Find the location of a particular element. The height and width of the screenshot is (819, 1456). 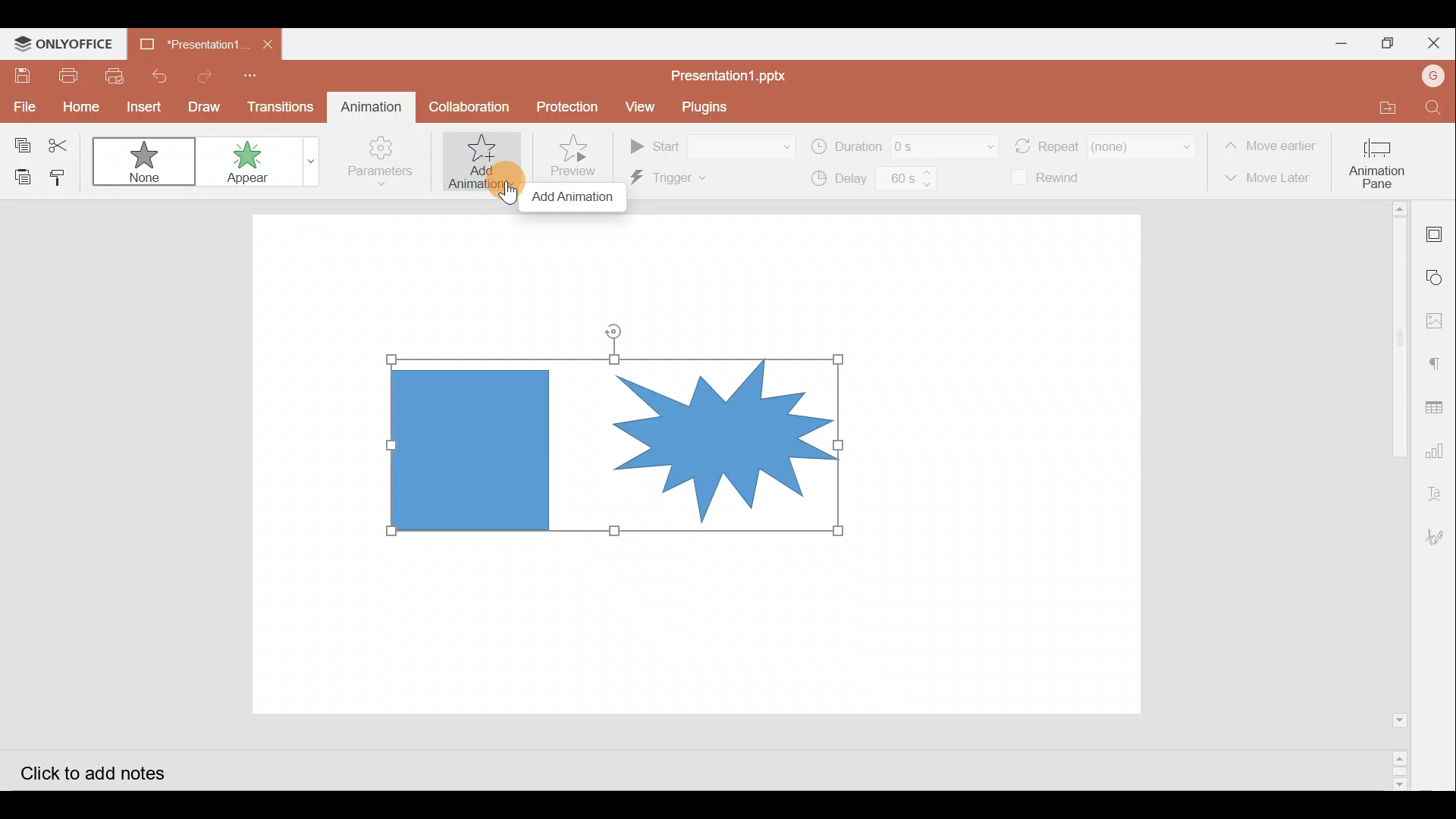

ONLYOFFICE is located at coordinates (67, 44).